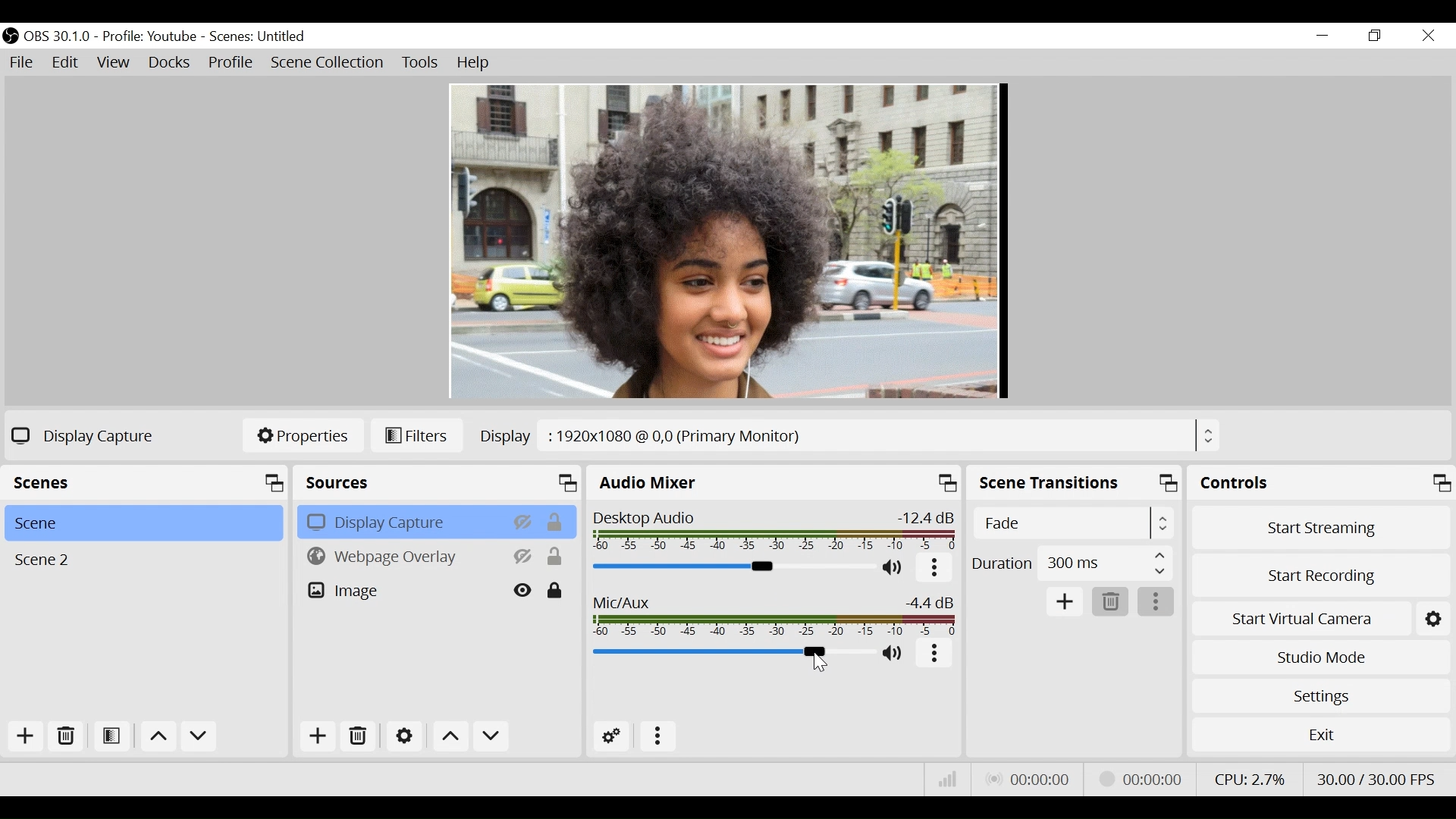 This screenshot has height=819, width=1456. Describe the element at coordinates (170, 63) in the screenshot. I see `Docks` at that location.